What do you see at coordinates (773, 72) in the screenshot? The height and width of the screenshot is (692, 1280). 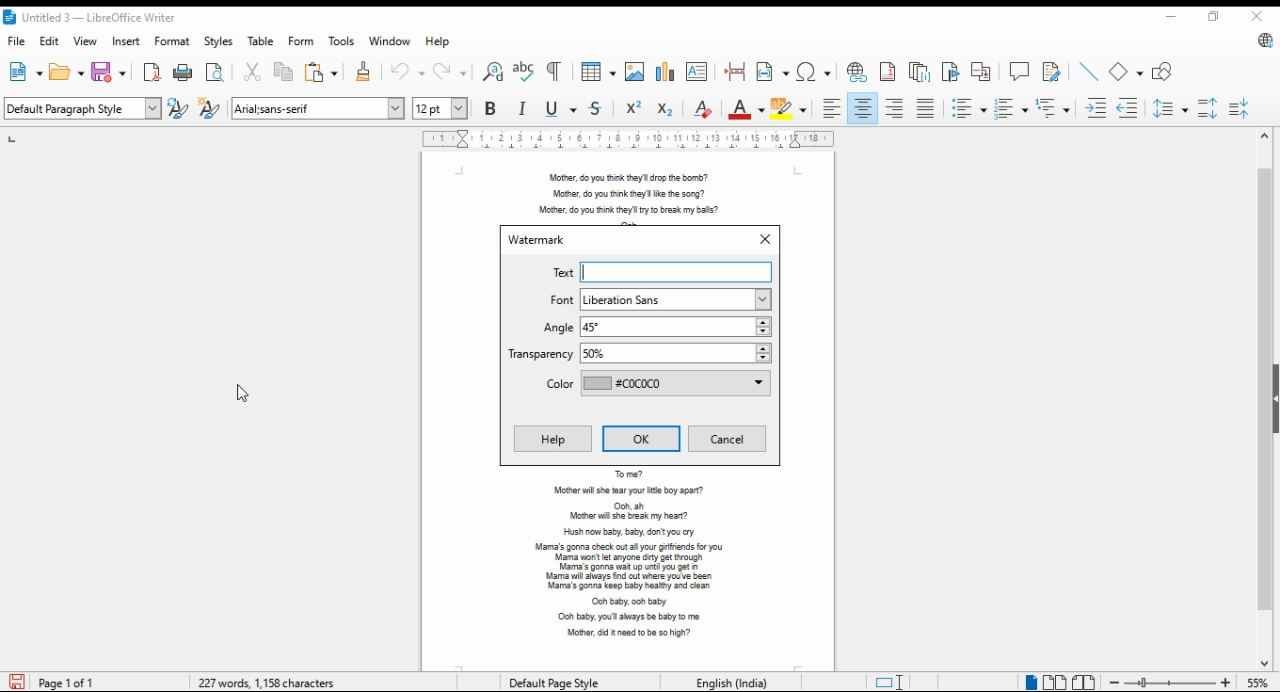 I see `insert field` at bounding box center [773, 72].